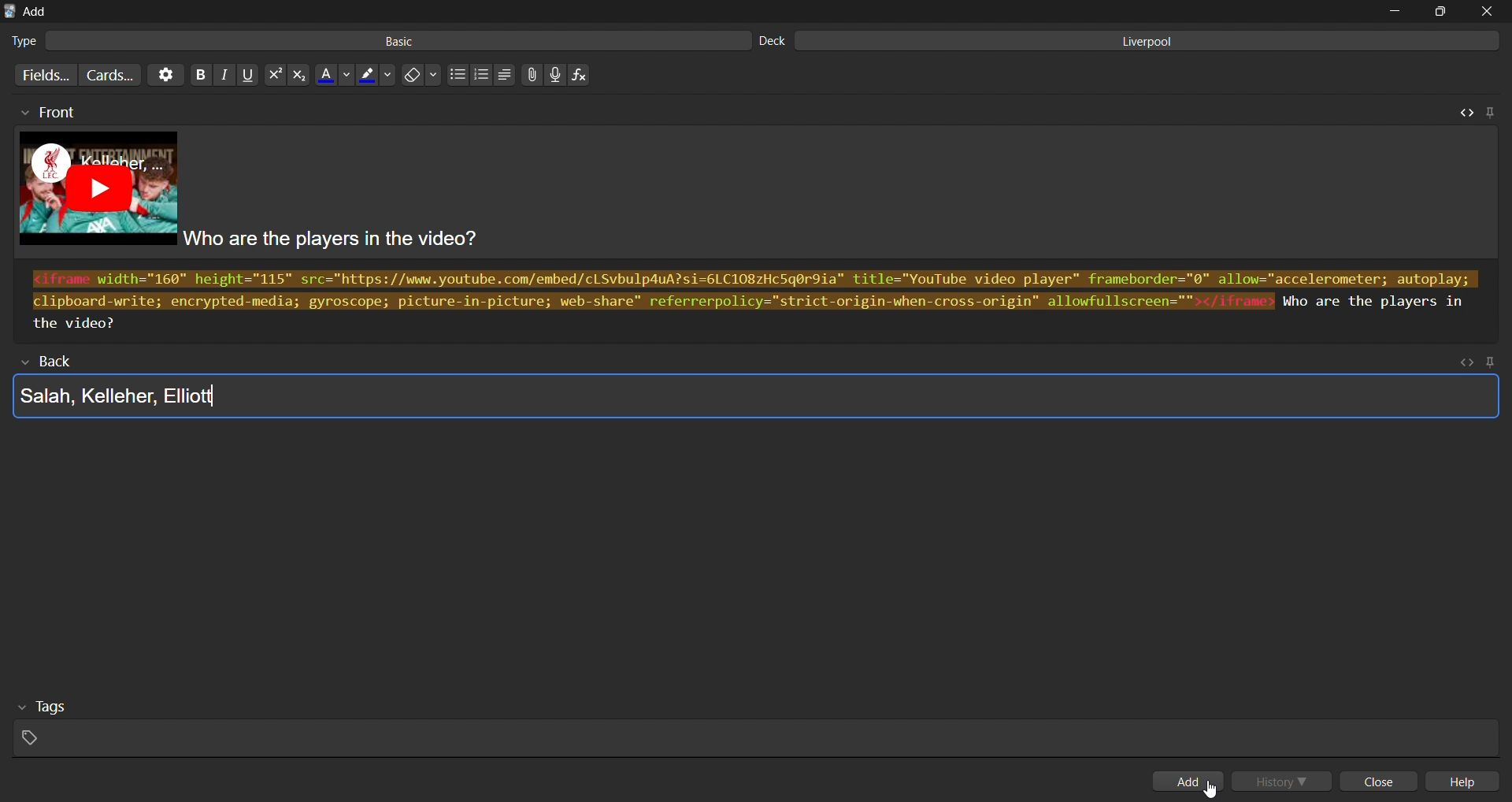 Image resolution: width=1512 pixels, height=802 pixels. I want to click on cursor, so click(1210, 790).